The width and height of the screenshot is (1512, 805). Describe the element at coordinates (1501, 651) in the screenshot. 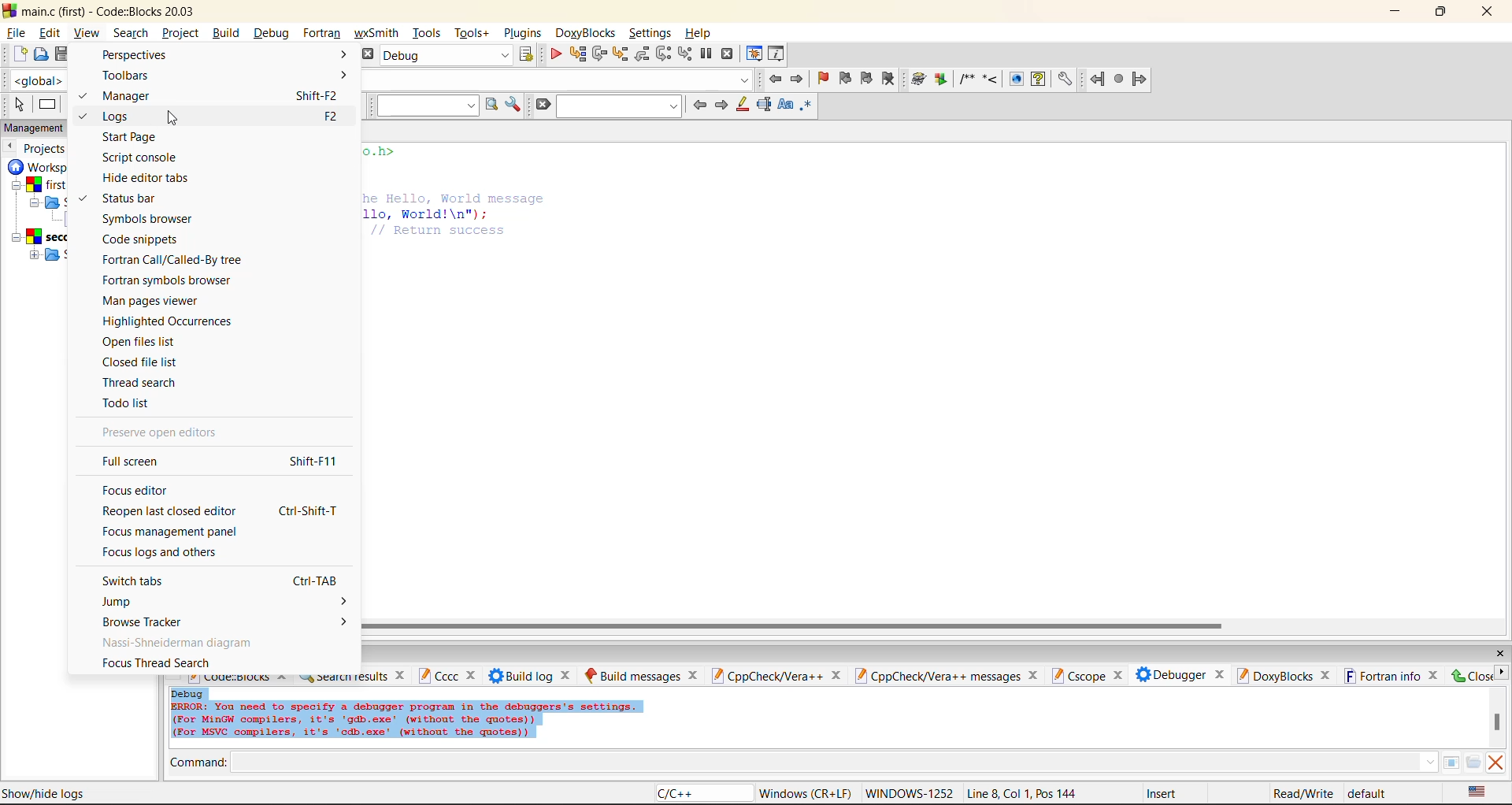

I see `close` at that location.